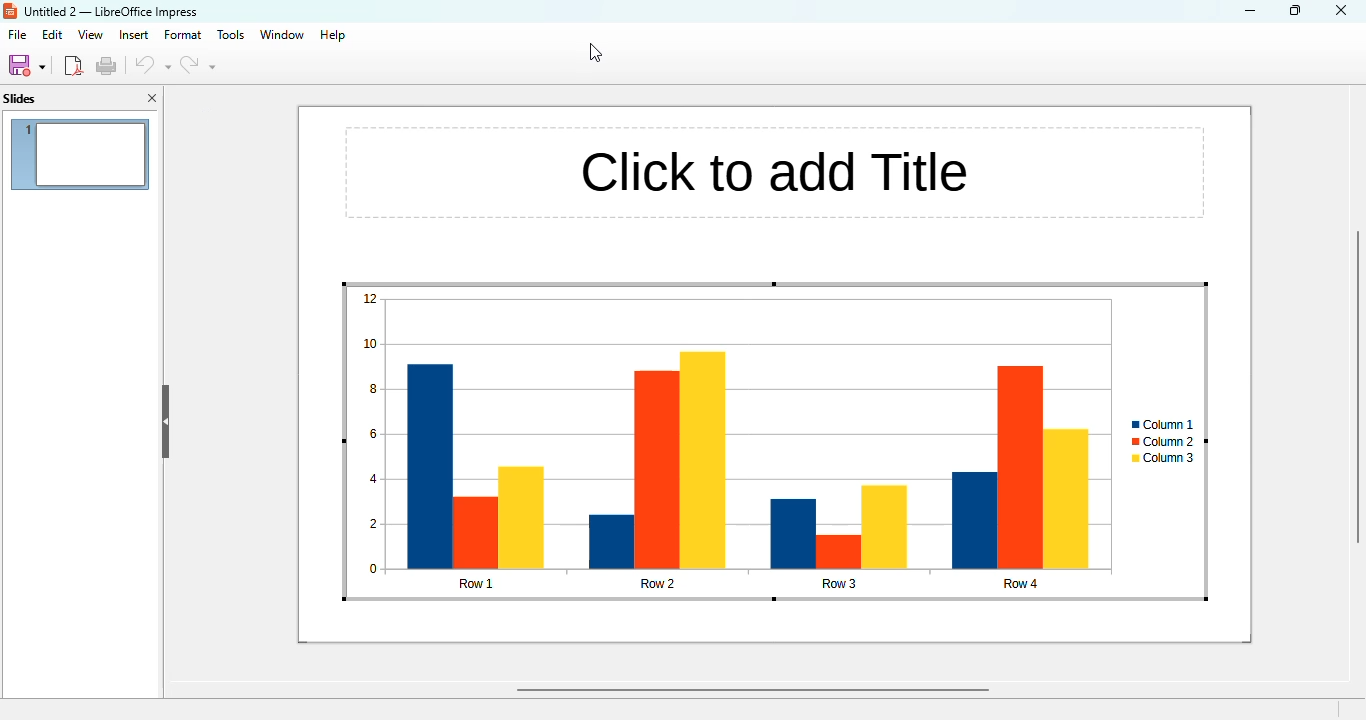 The height and width of the screenshot is (720, 1366). What do you see at coordinates (73, 66) in the screenshot?
I see `export directly as PDF` at bounding box center [73, 66].